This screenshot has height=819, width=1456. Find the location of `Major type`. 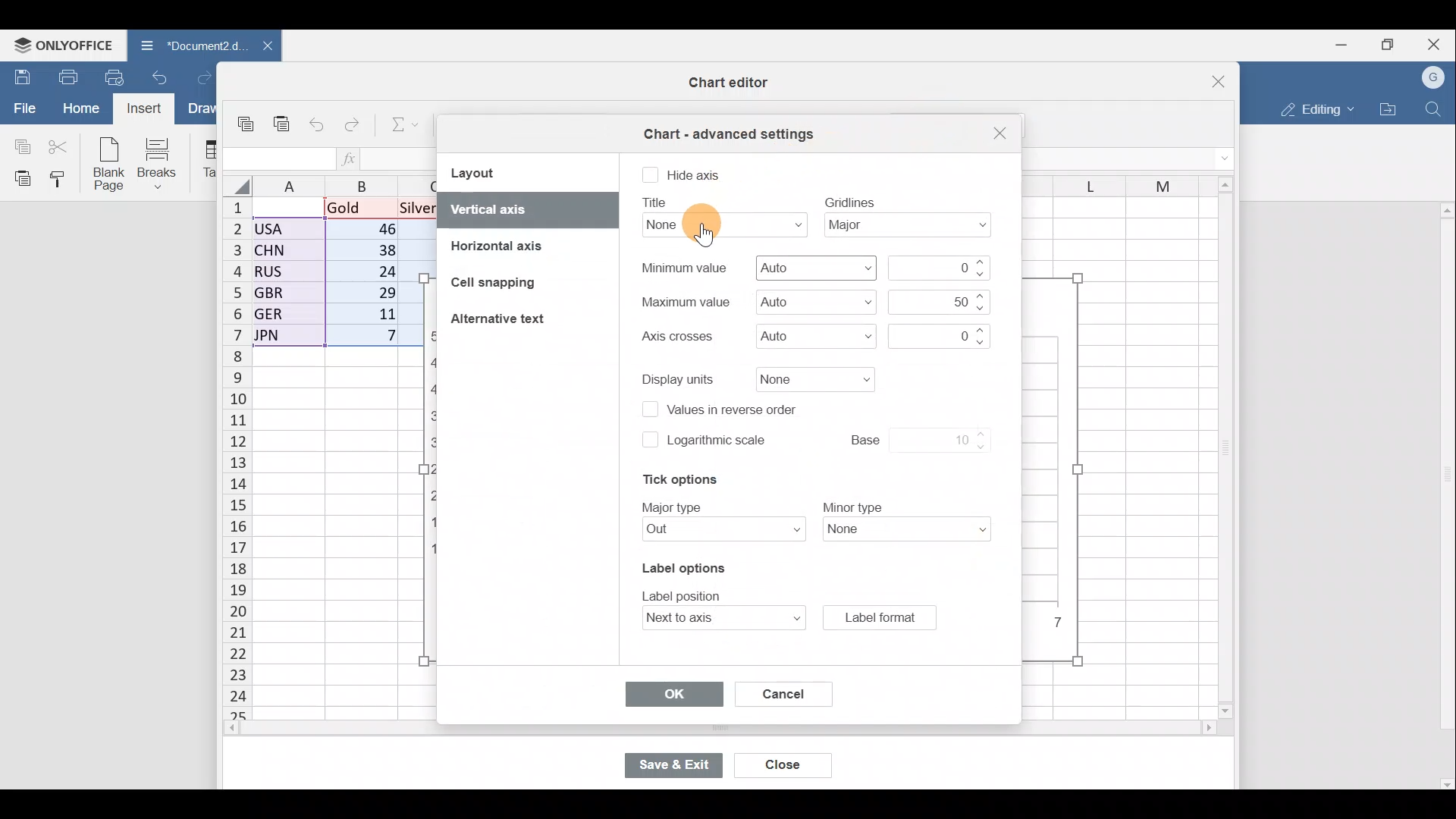

Major type is located at coordinates (715, 531).